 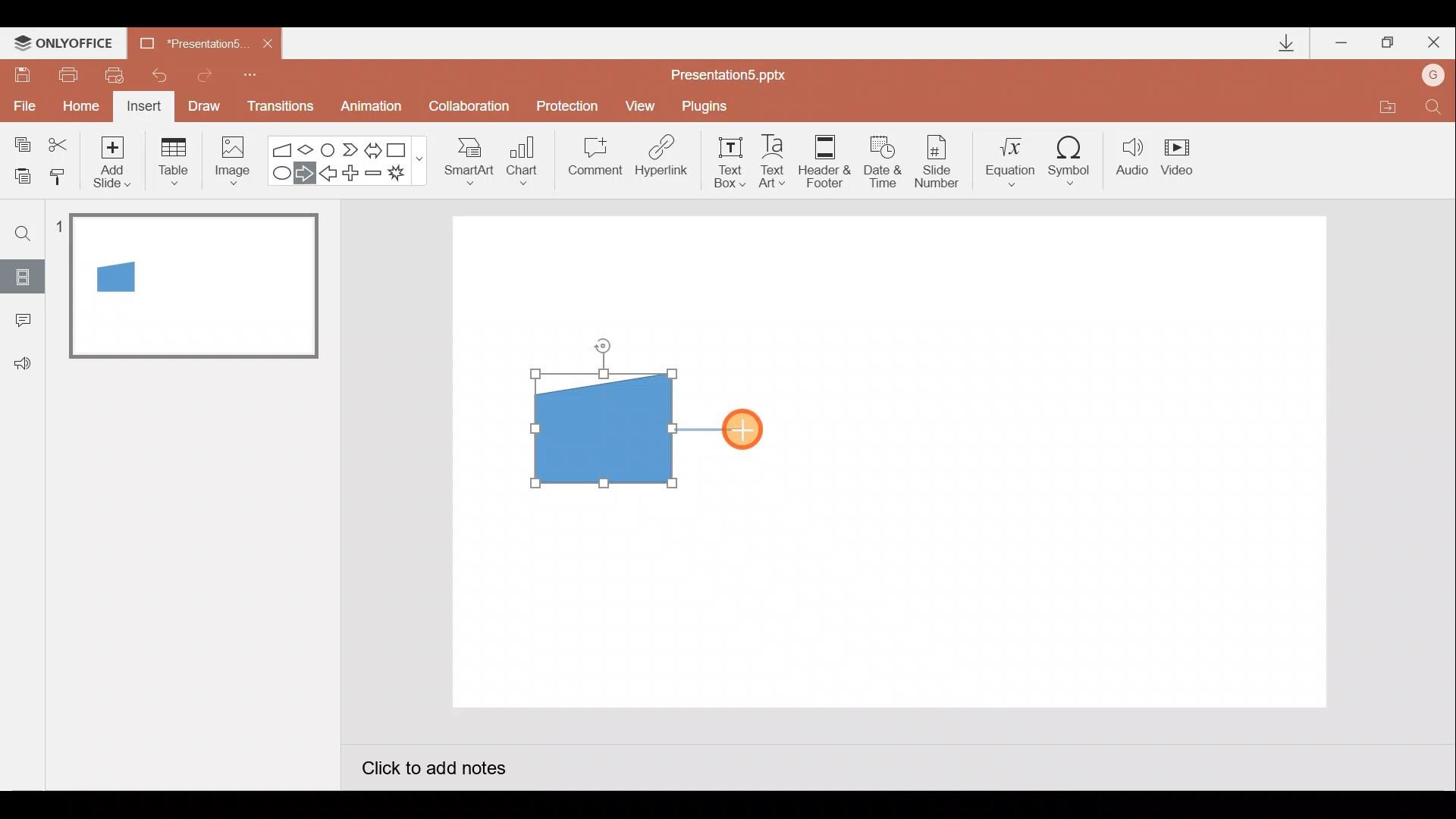 What do you see at coordinates (196, 439) in the screenshot?
I see `Slide pane` at bounding box center [196, 439].